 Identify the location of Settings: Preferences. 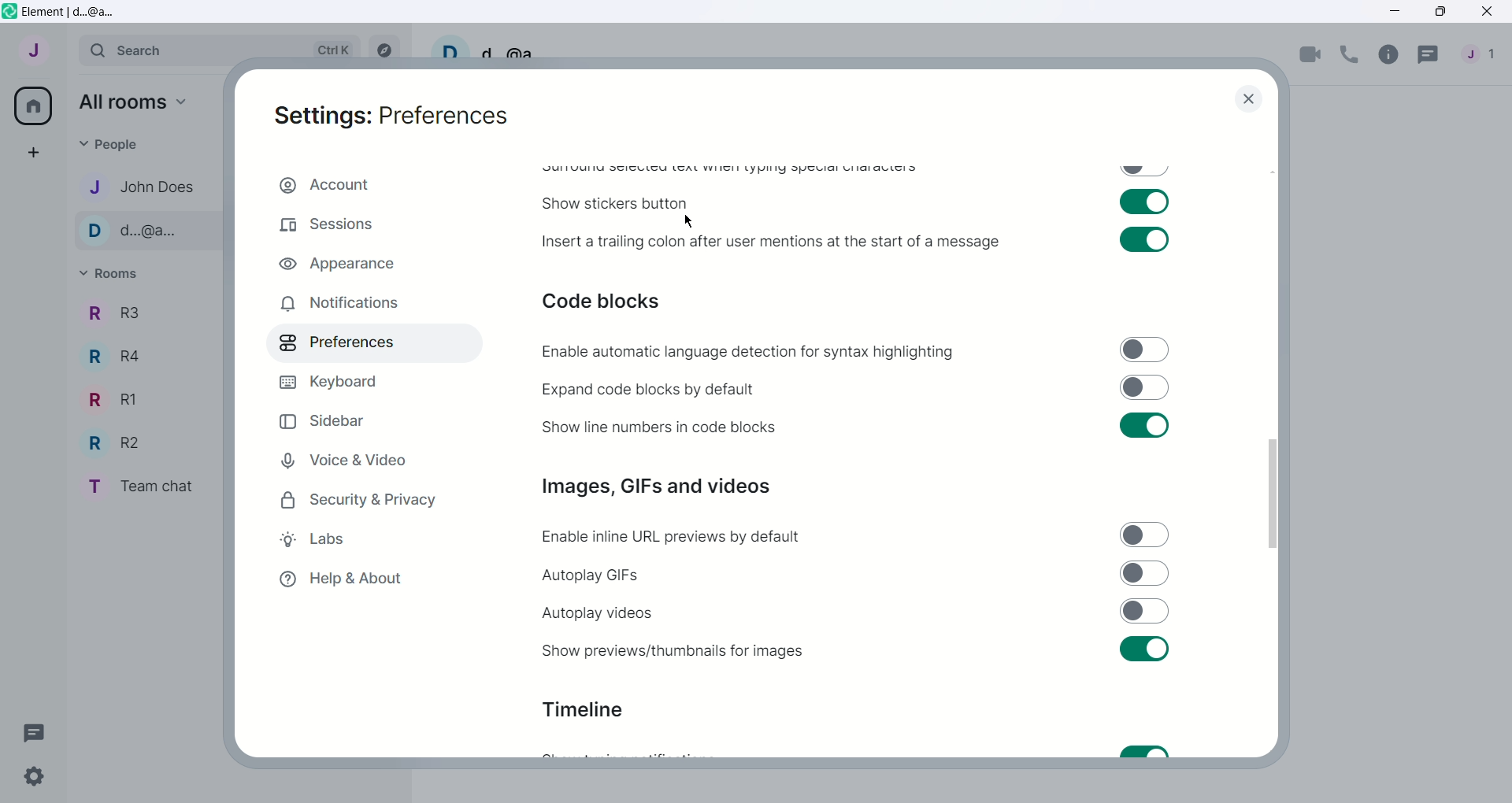
(391, 117).